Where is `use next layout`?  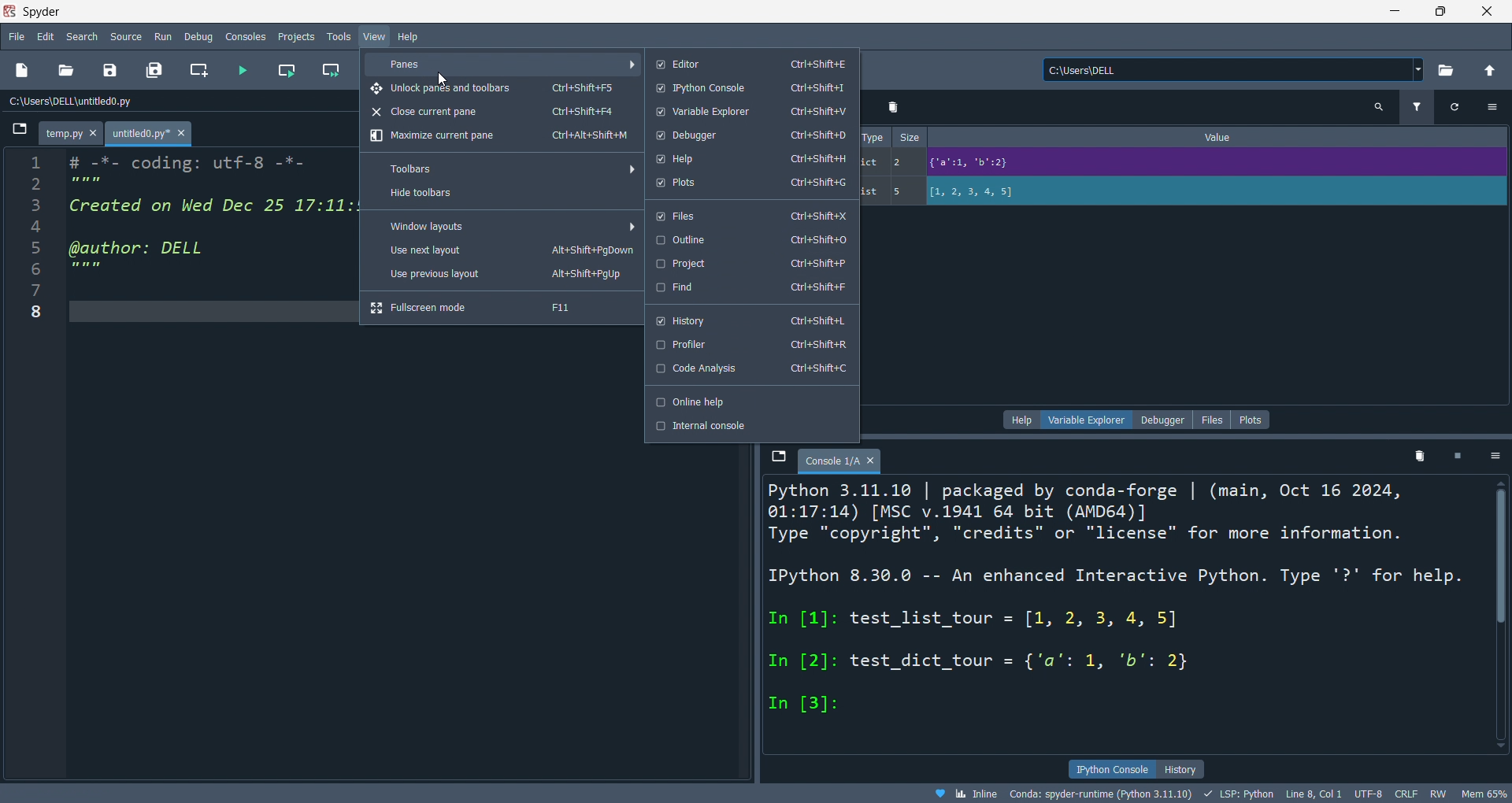
use next layout is located at coordinates (499, 250).